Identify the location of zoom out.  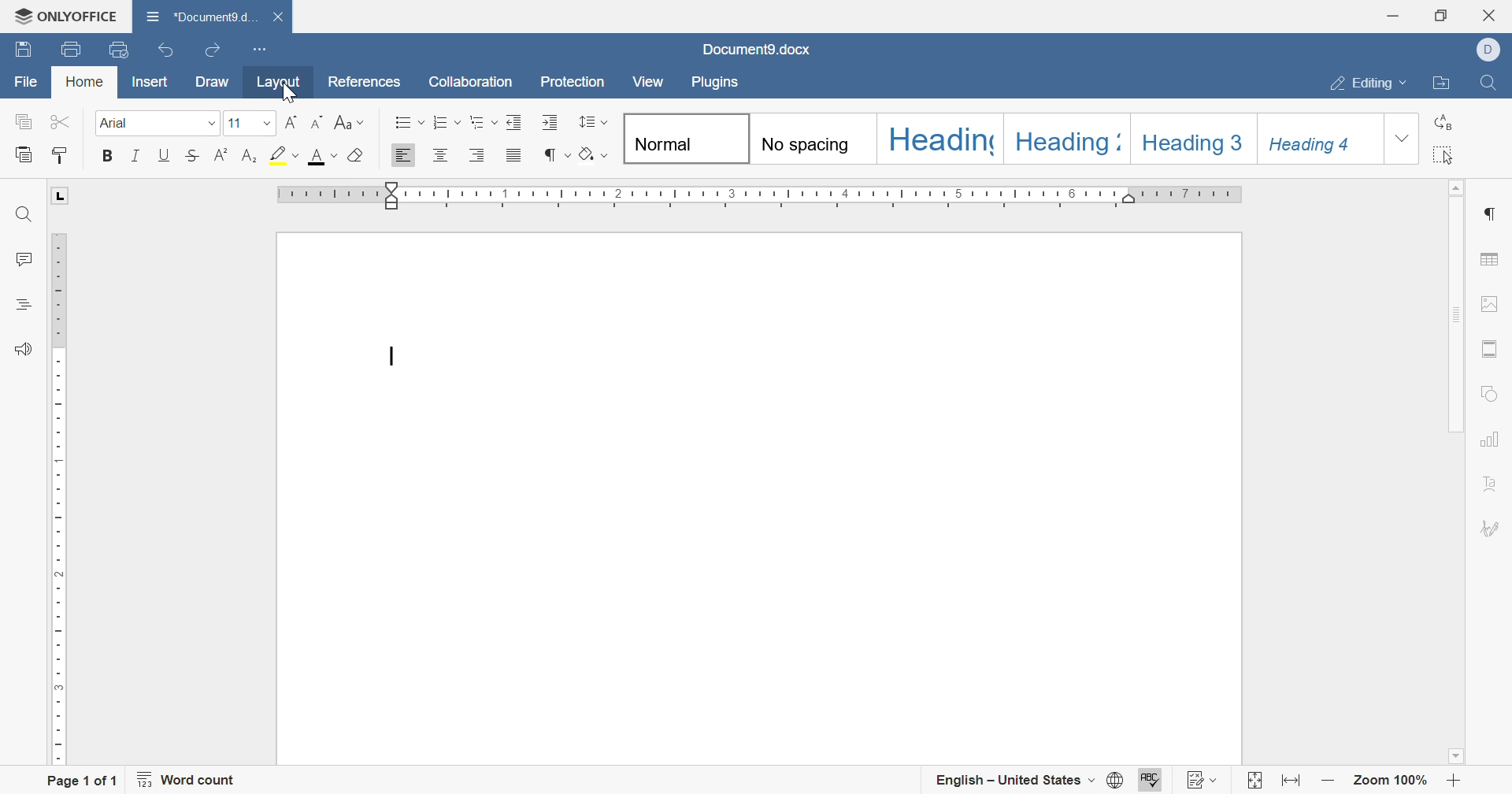
(1329, 781).